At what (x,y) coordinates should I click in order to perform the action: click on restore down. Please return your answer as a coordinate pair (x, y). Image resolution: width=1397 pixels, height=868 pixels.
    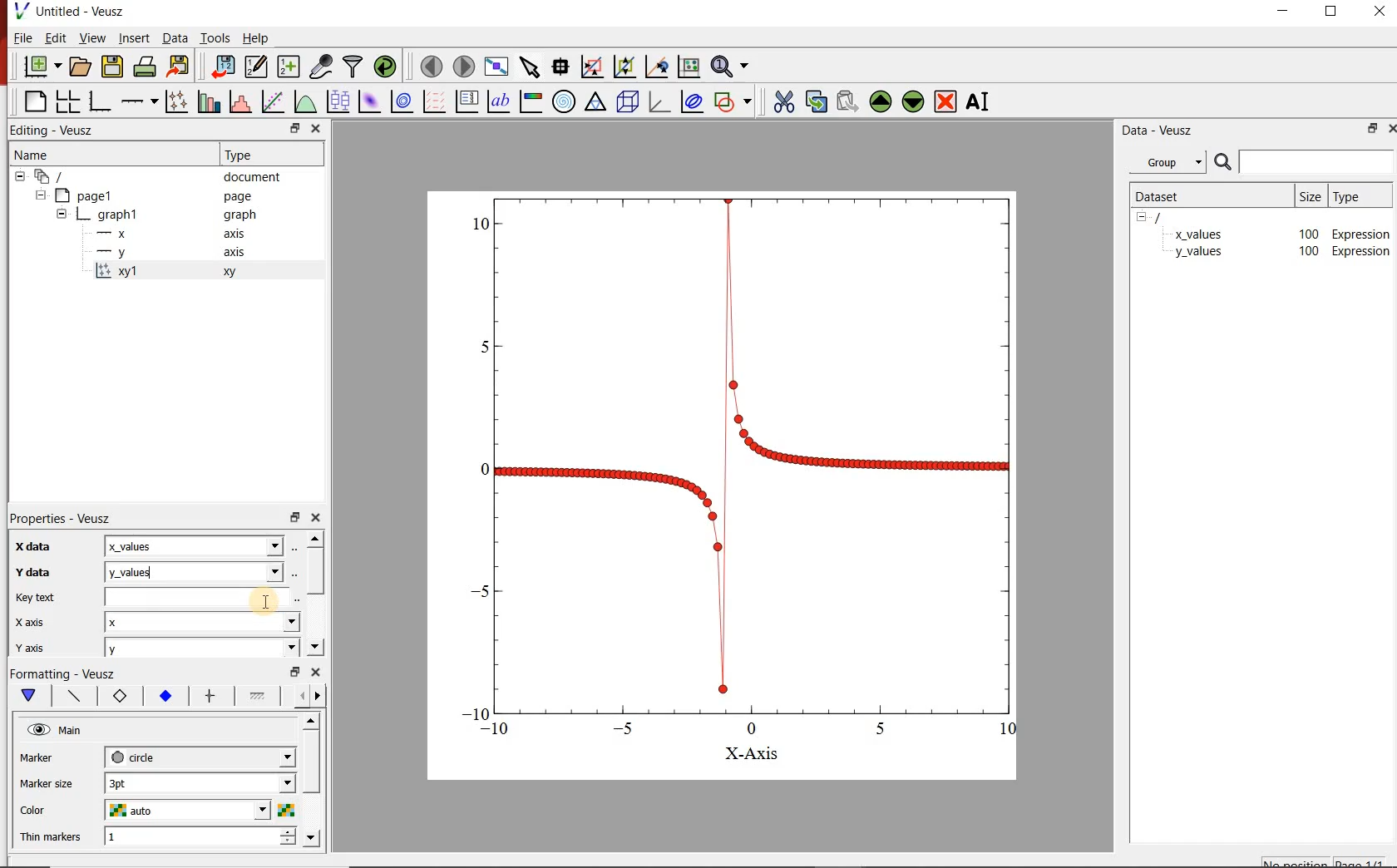
    Looking at the image, I should click on (294, 127).